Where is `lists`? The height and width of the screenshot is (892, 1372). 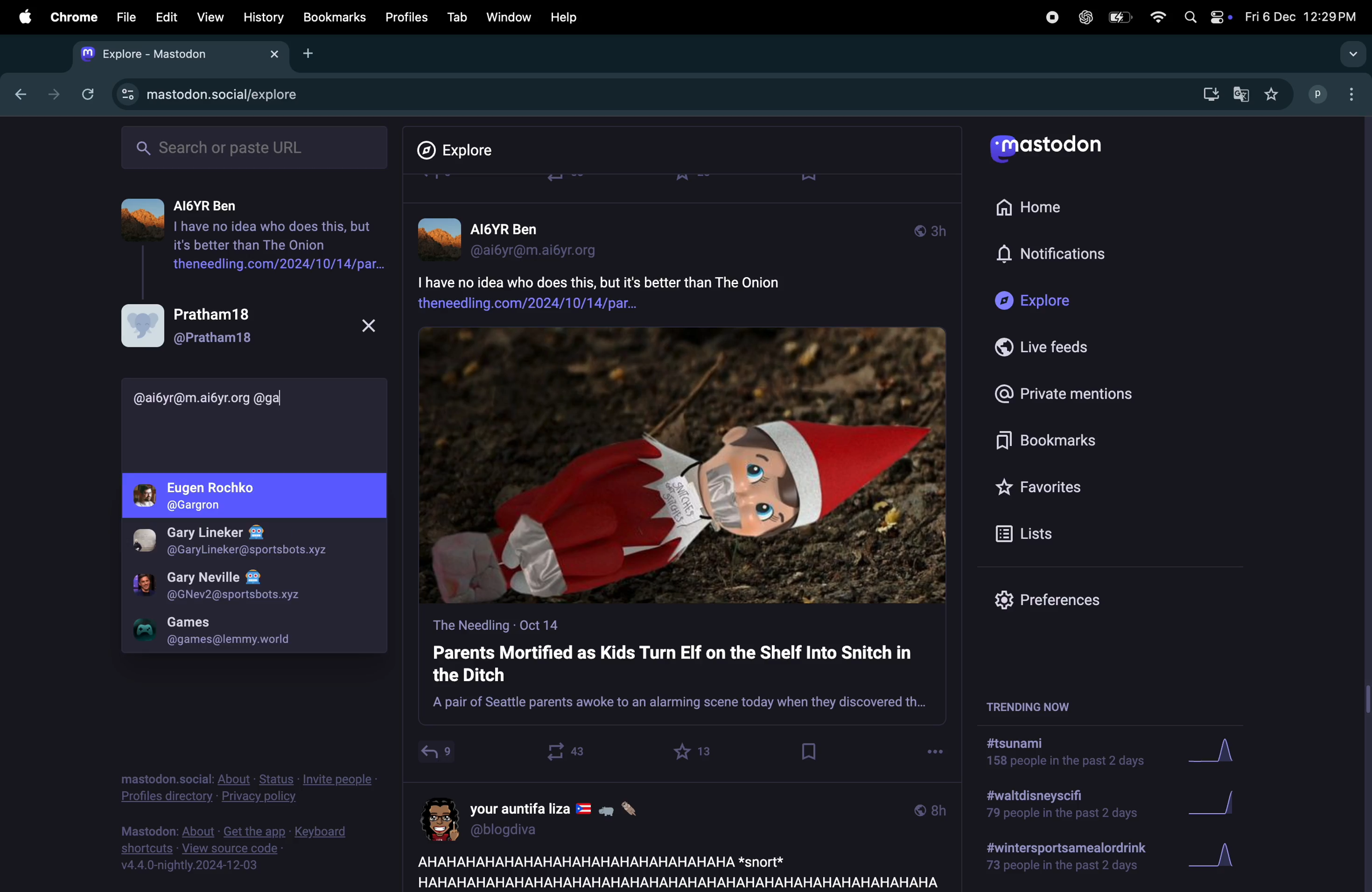
lists is located at coordinates (1030, 533).